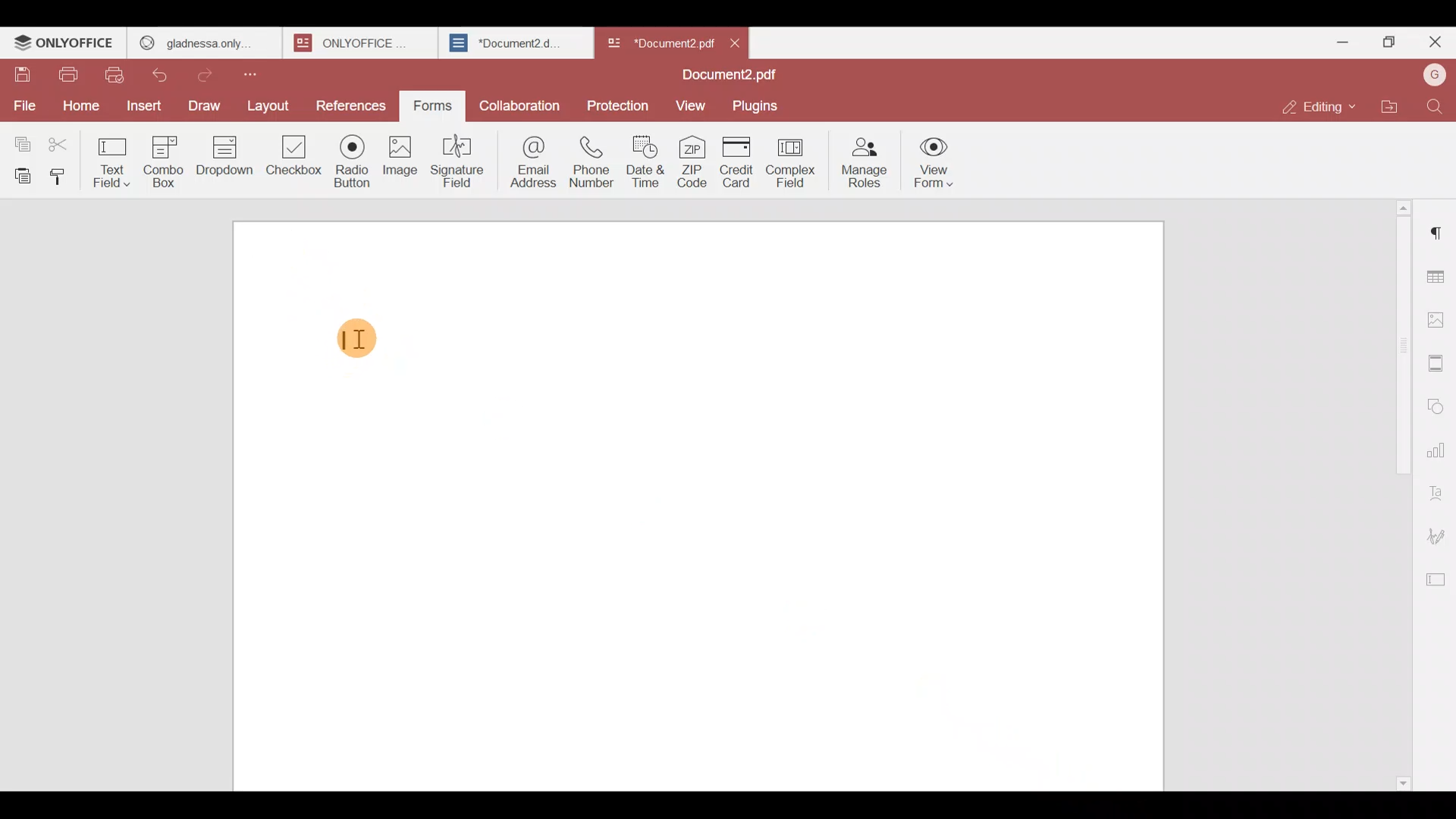 The image size is (1456, 819). I want to click on Form settings, so click(1434, 577).